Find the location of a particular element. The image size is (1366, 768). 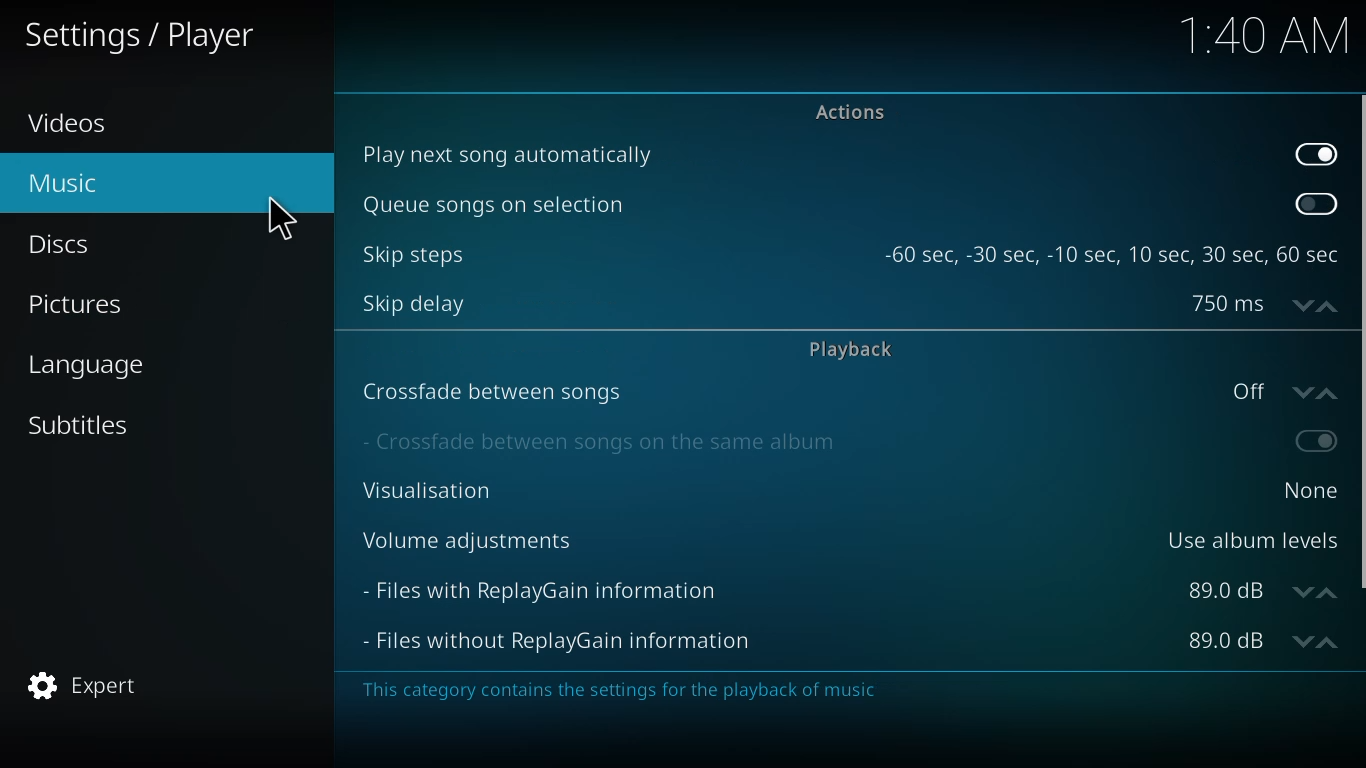

videos is located at coordinates (75, 122).